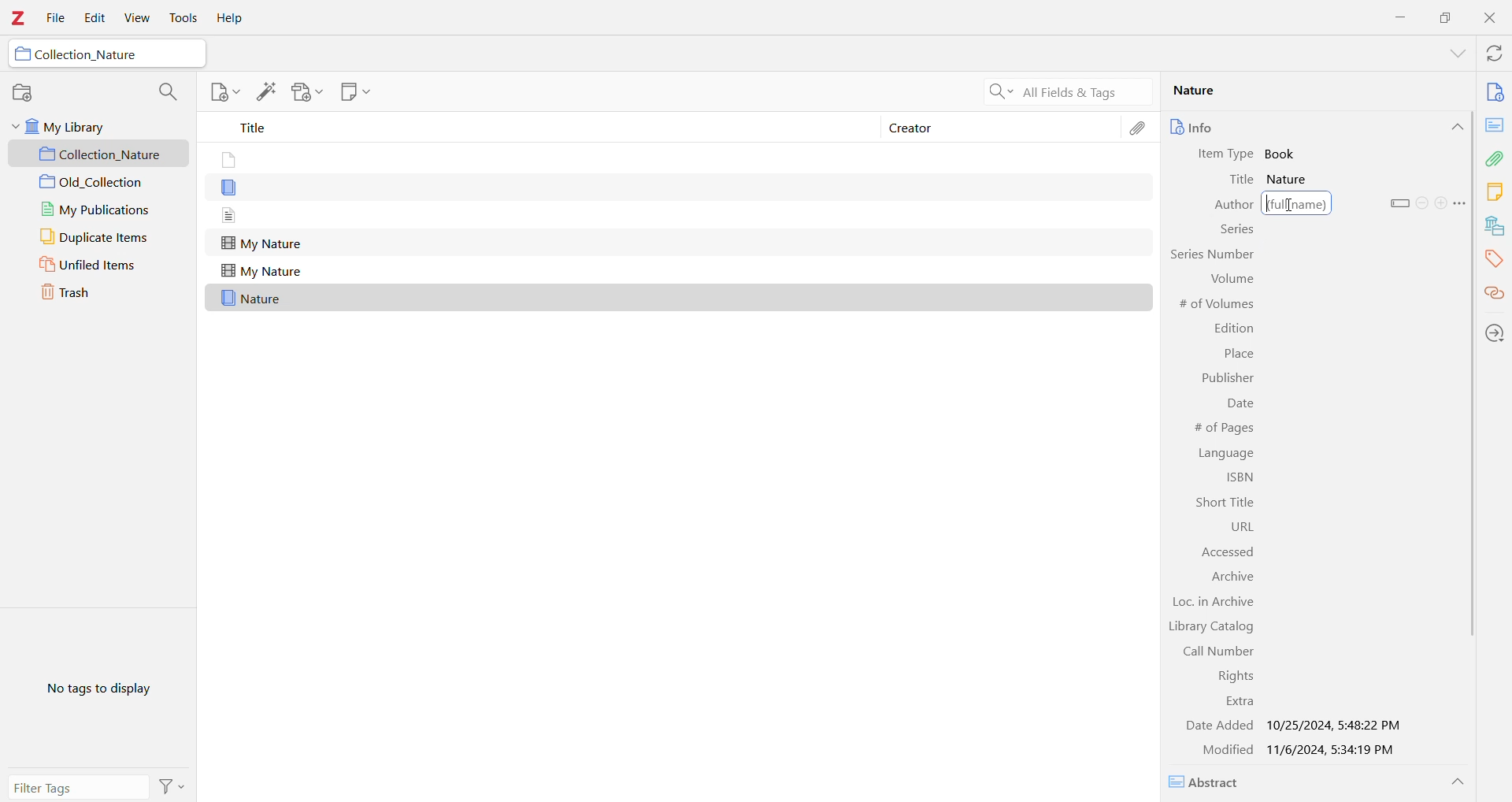  I want to click on Search All Fields & tags, so click(1063, 92).